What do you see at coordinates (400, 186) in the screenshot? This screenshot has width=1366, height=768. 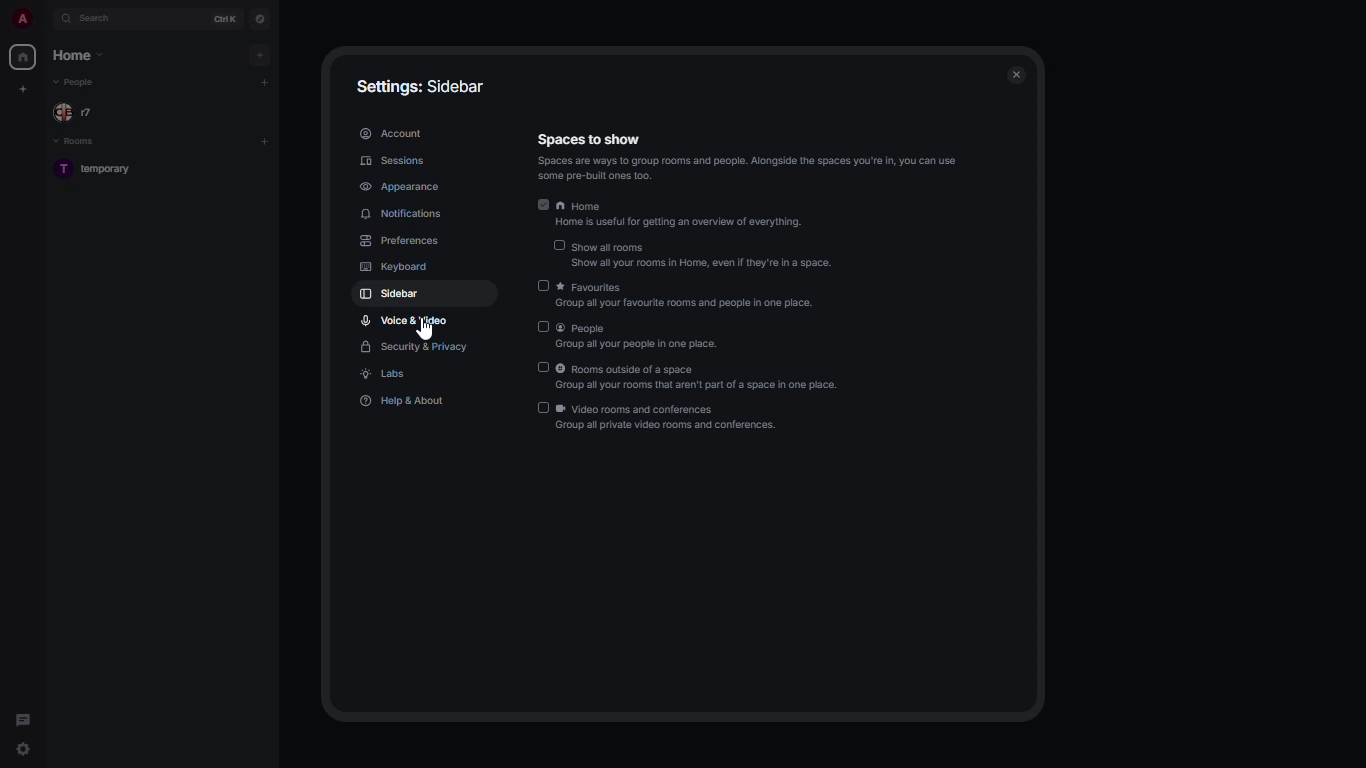 I see `appearance` at bounding box center [400, 186].